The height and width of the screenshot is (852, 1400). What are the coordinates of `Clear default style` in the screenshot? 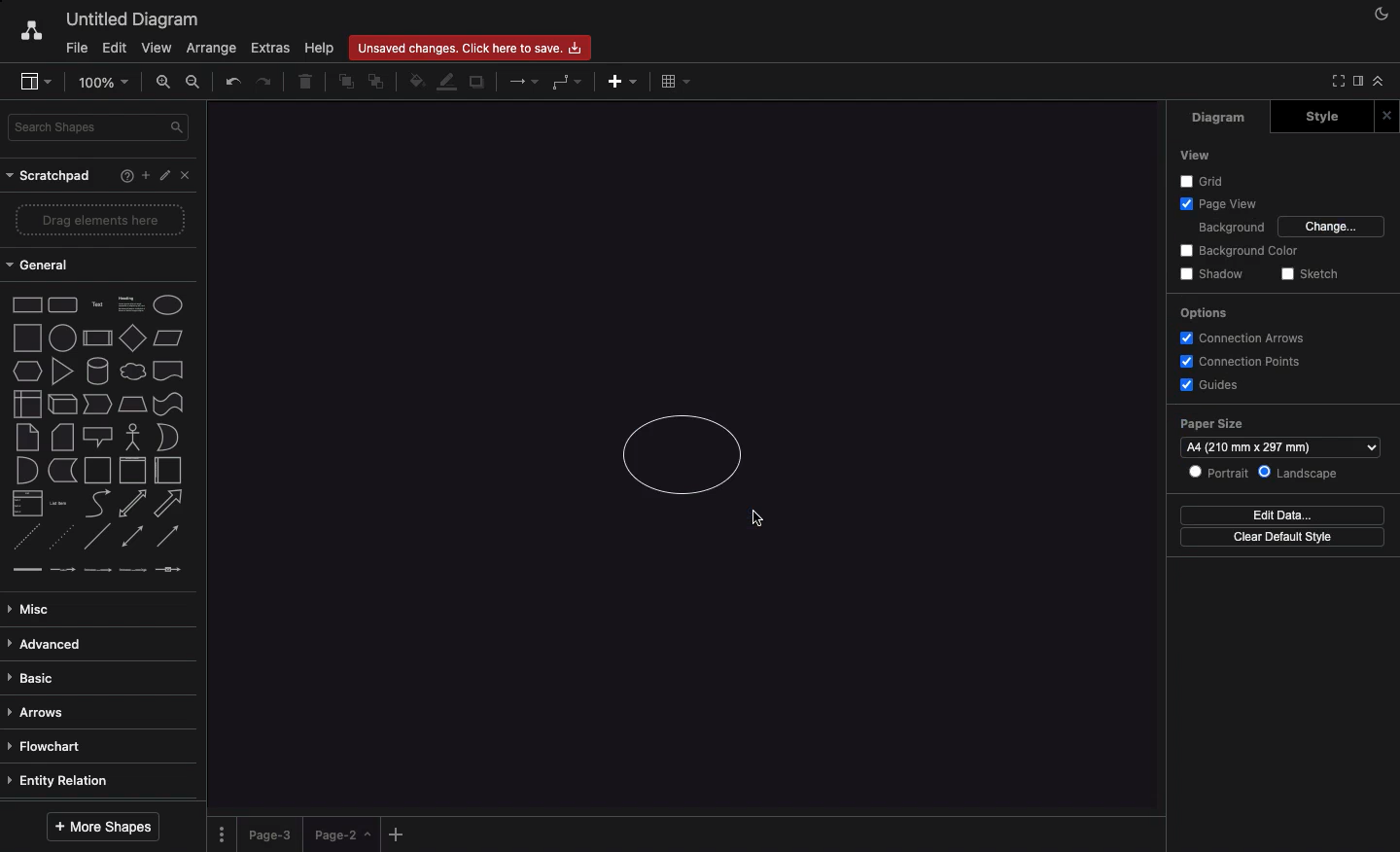 It's located at (1288, 537).